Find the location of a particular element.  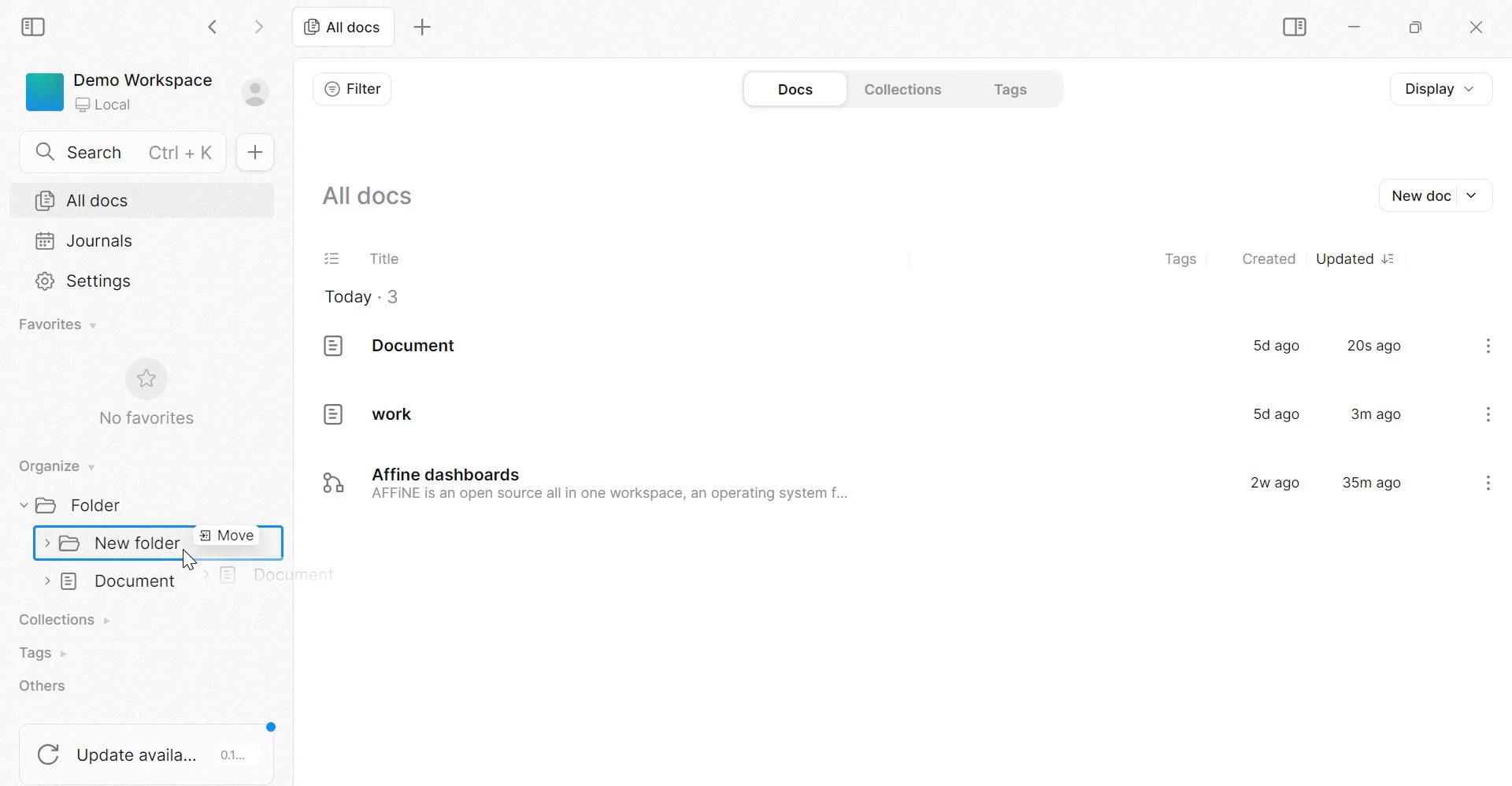

Display is located at coordinates (1432, 87).